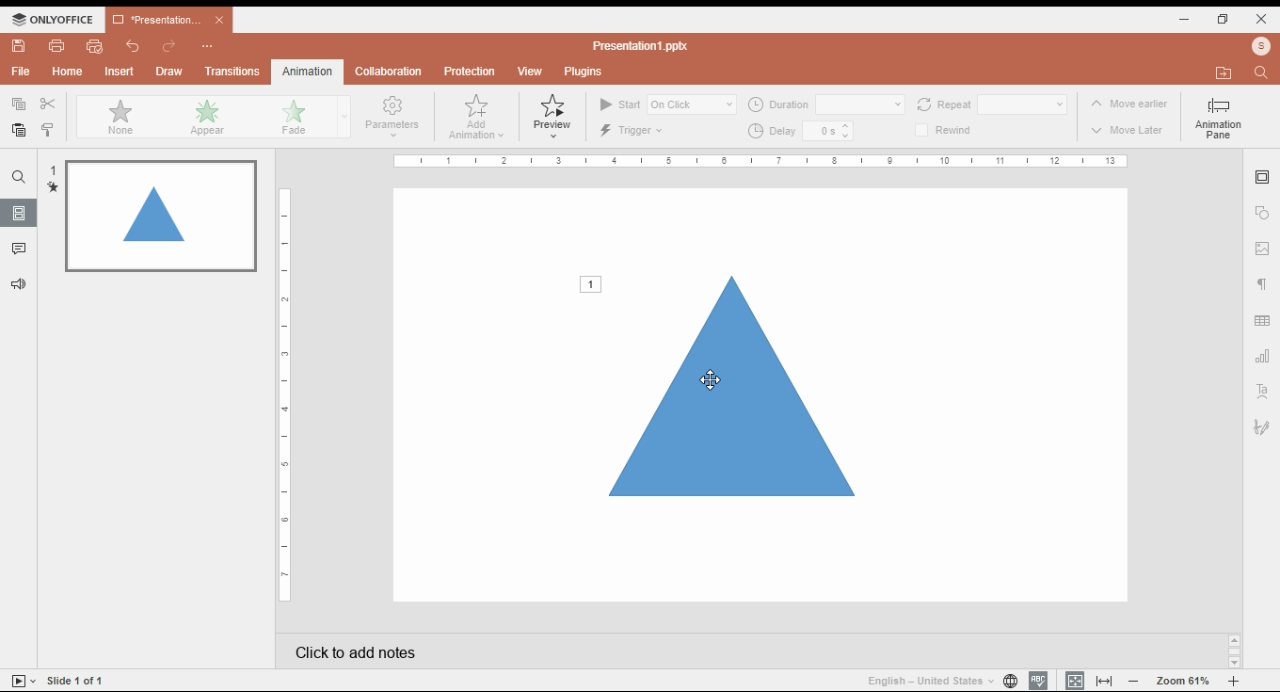 The image size is (1280, 692). What do you see at coordinates (1263, 178) in the screenshot?
I see `slide settings` at bounding box center [1263, 178].